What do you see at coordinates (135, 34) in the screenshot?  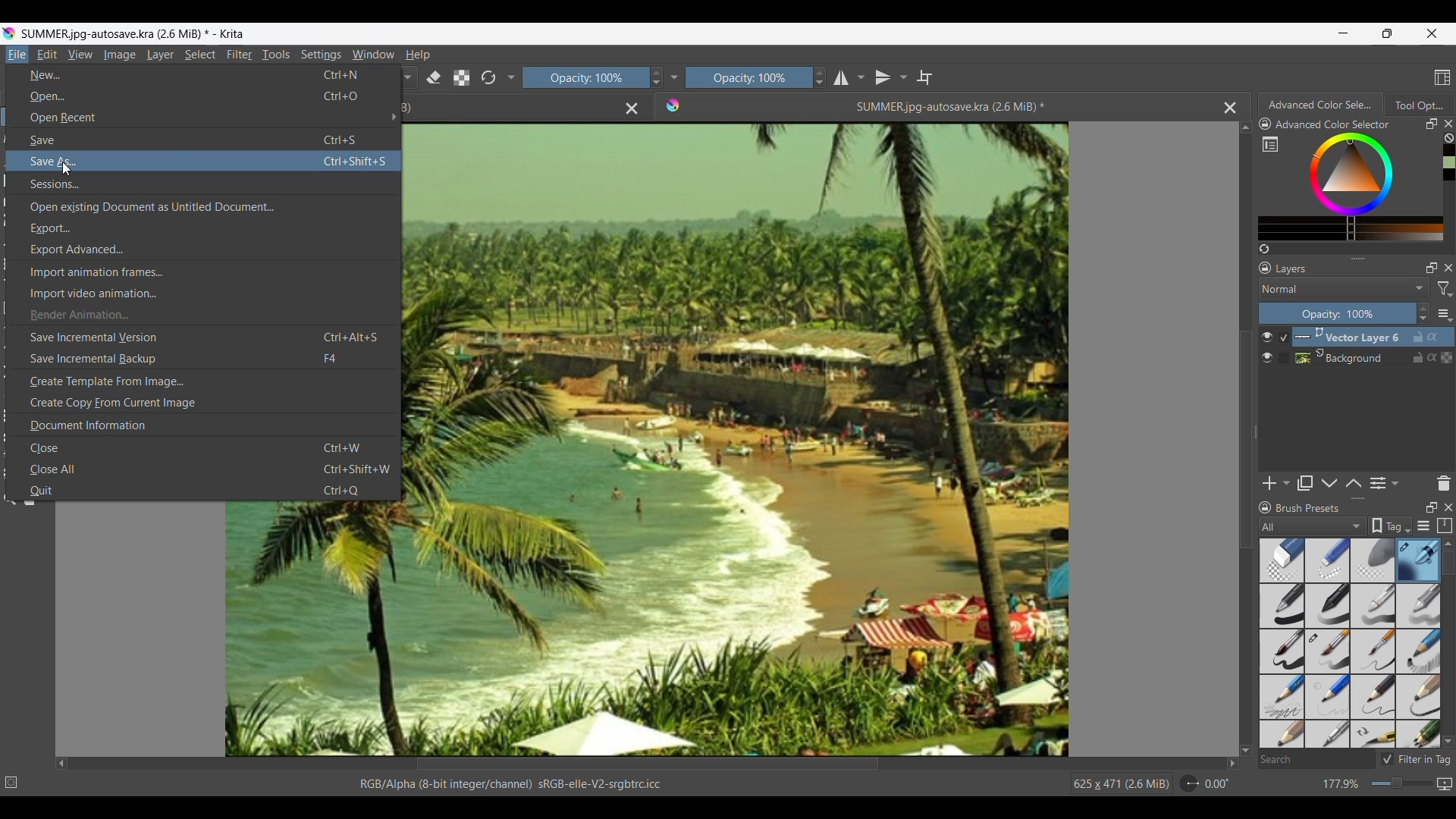 I see `SUMMER.jpg-autosave.kra(2.6MB)*-Krita` at bounding box center [135, 34].